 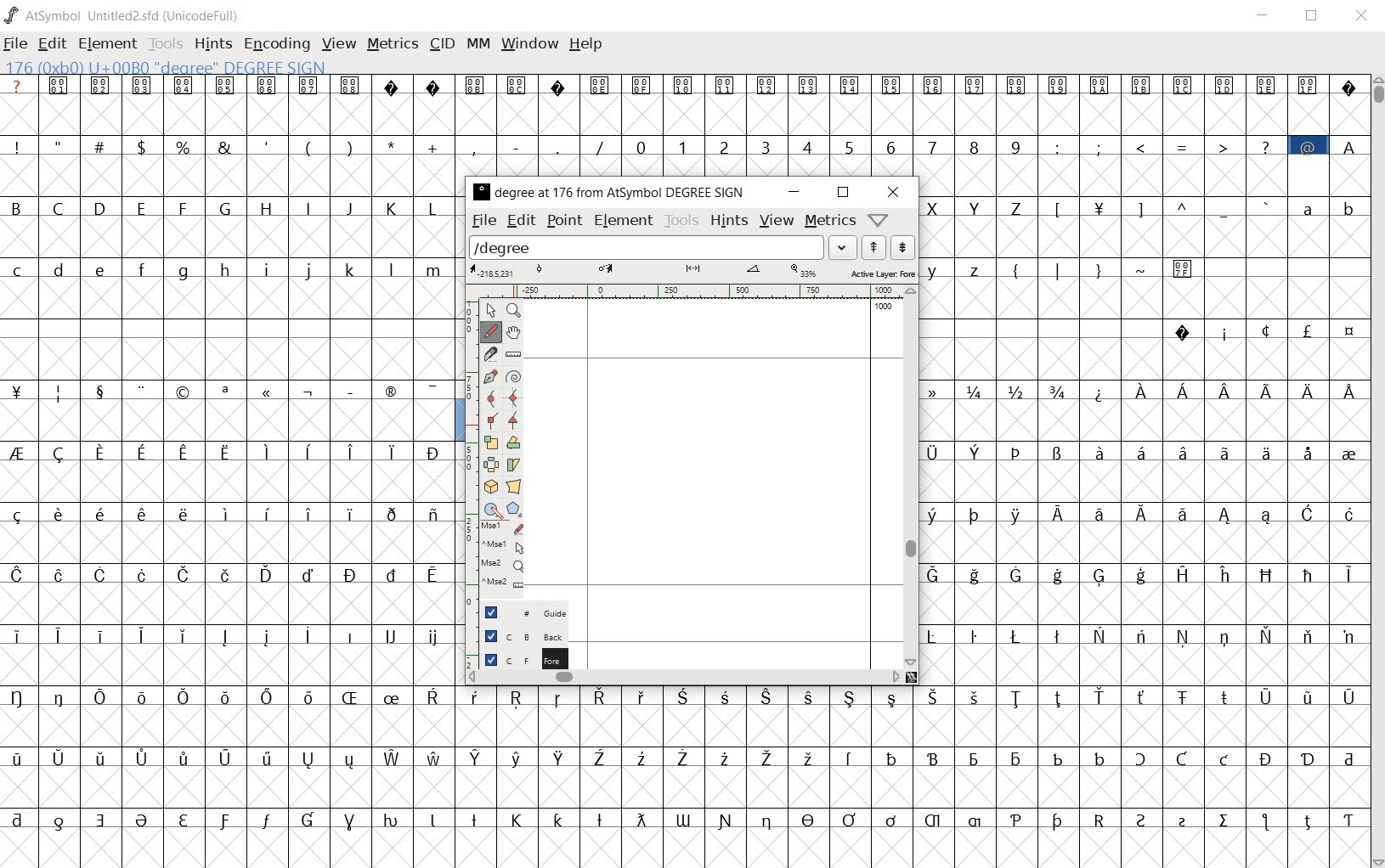 What do you see at coordinates (513, 442) in the screenshot?
I see `Rotate the selection` at bounding box center [513, 442].